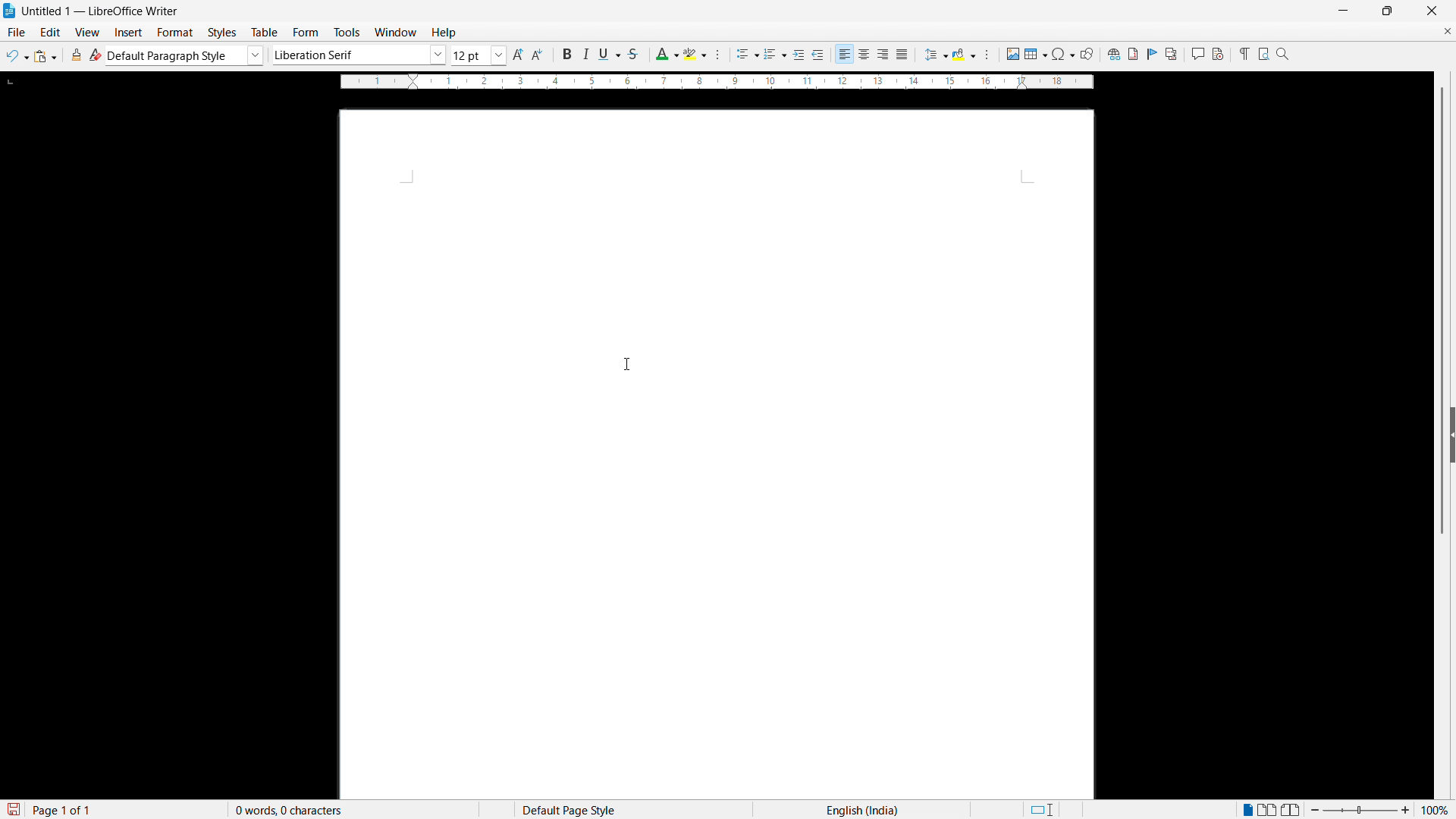 The width and height of the screenshot is (1456, 819). What do you see at coordinates (15, 32) in the screenshot?
I see `file` at bounding box center [15, 32].